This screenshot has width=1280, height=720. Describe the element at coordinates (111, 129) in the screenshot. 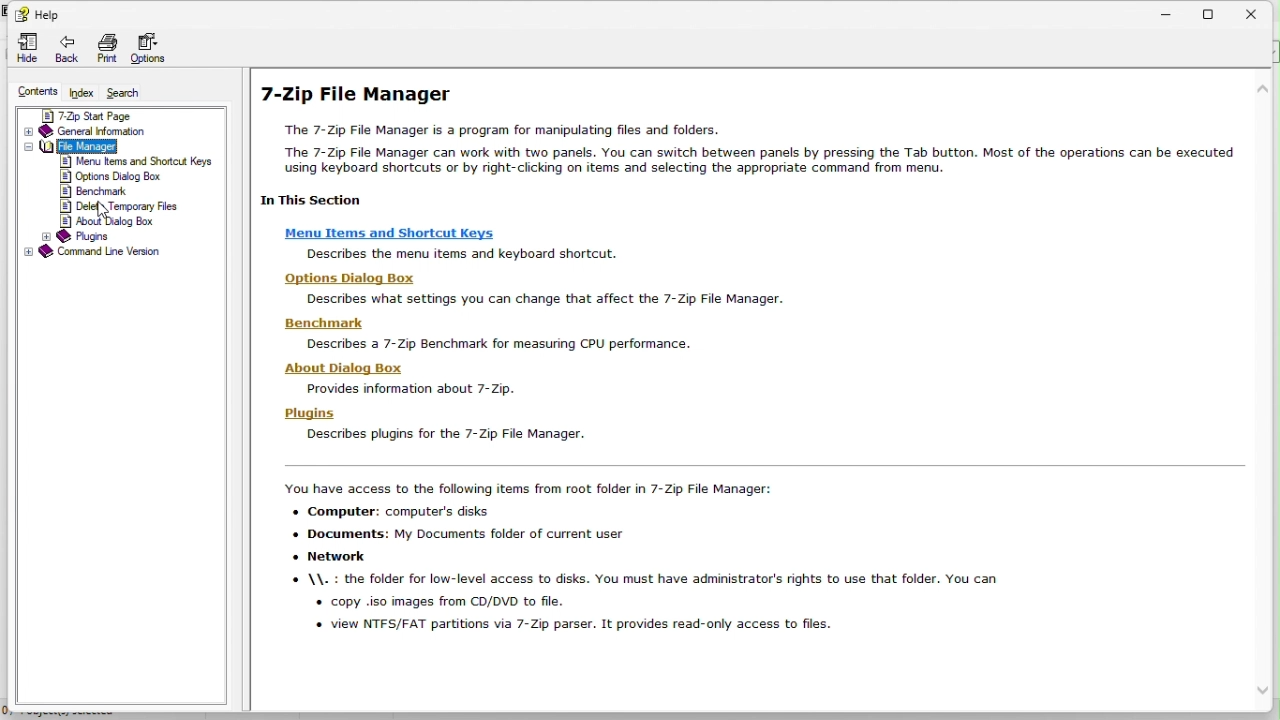

I see `General information` at that location.